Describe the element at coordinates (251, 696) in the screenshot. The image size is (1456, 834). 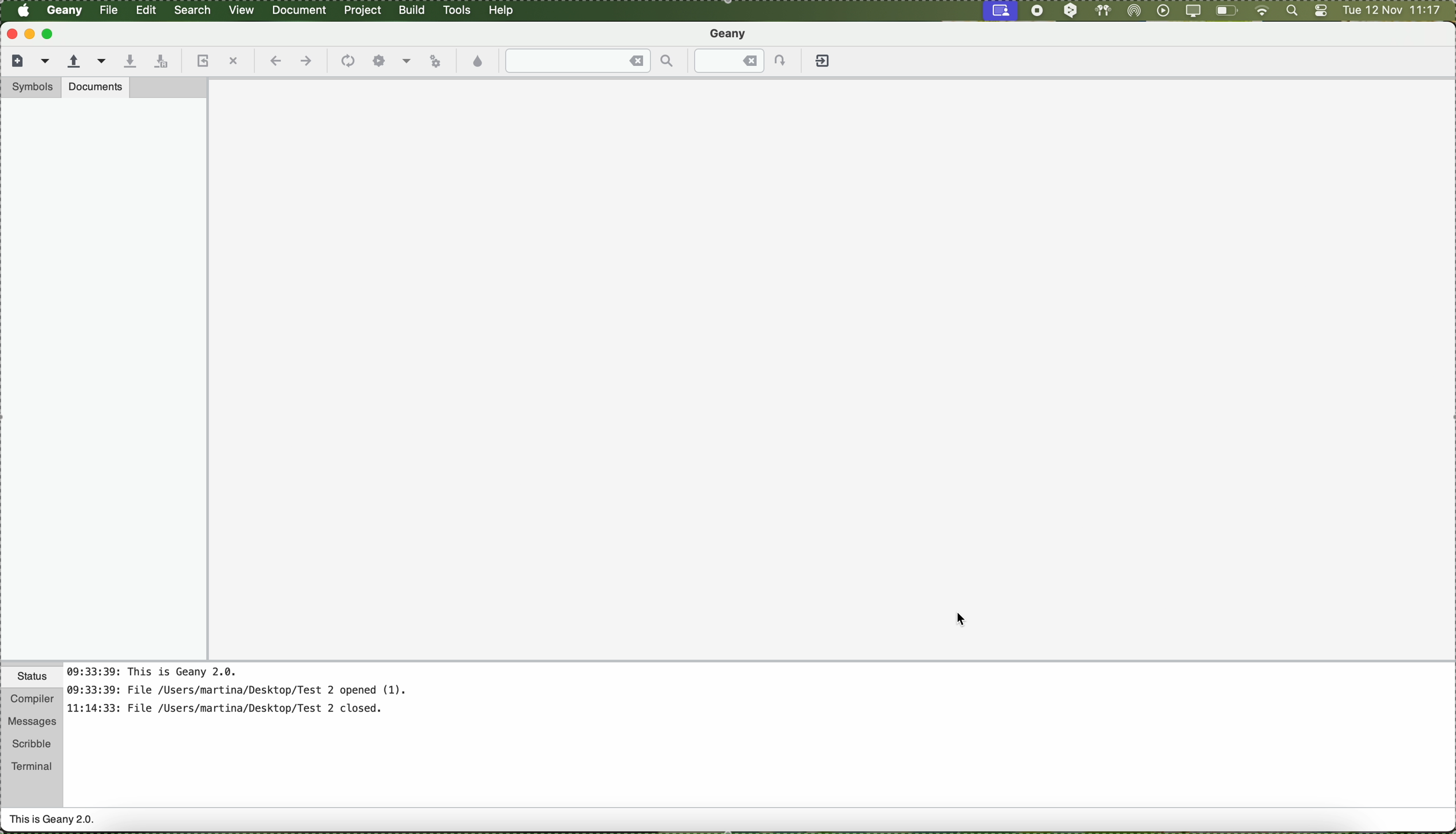
I see `notes` at that location.